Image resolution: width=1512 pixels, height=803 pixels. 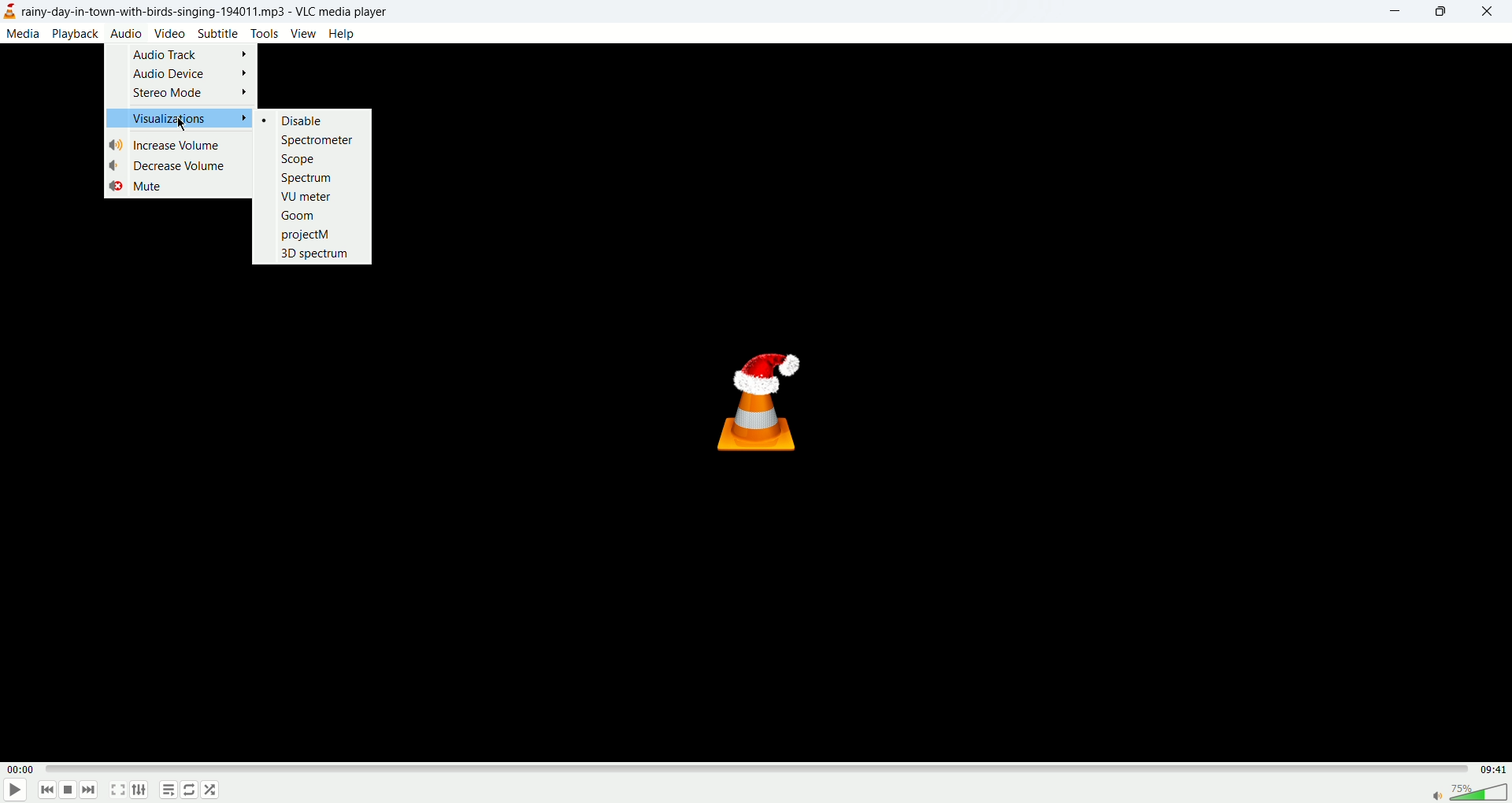 What do you see at coordinates (182, 94) in the screenshot?
I see `Stereo Mode` at bounding box center [182, 94].